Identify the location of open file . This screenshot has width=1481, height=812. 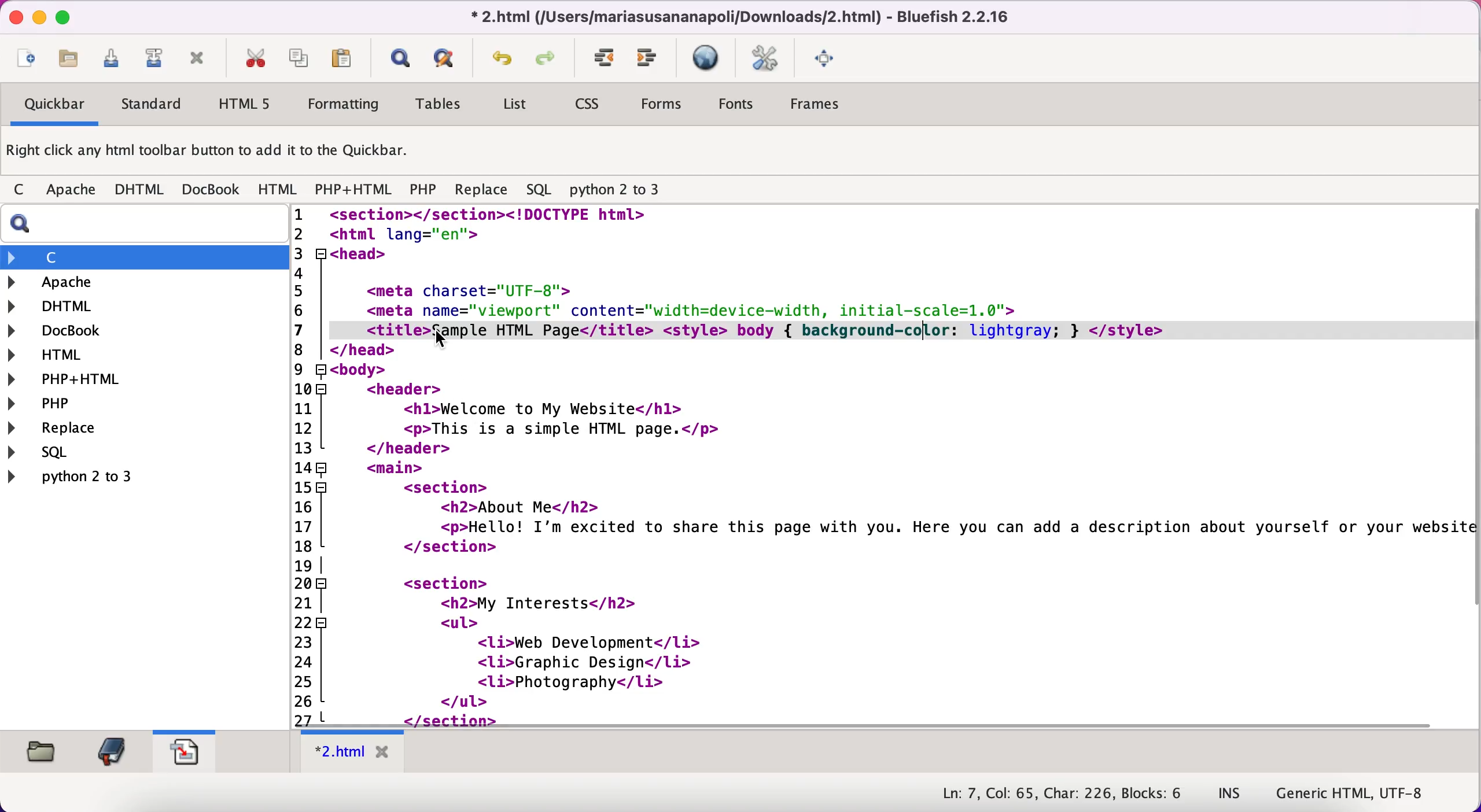
(74, 62).